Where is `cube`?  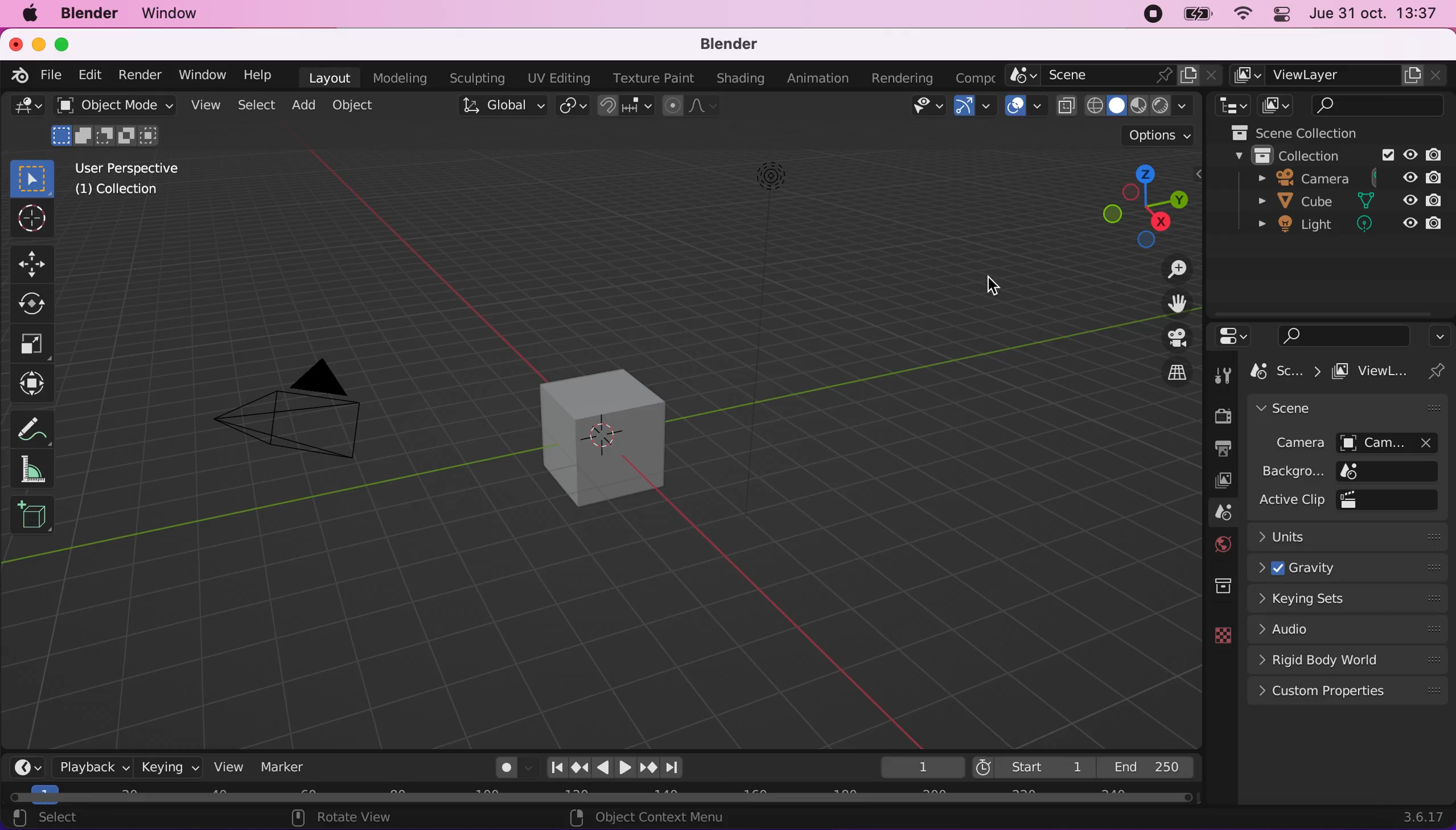
cube is located at coordinates (1346, 201).